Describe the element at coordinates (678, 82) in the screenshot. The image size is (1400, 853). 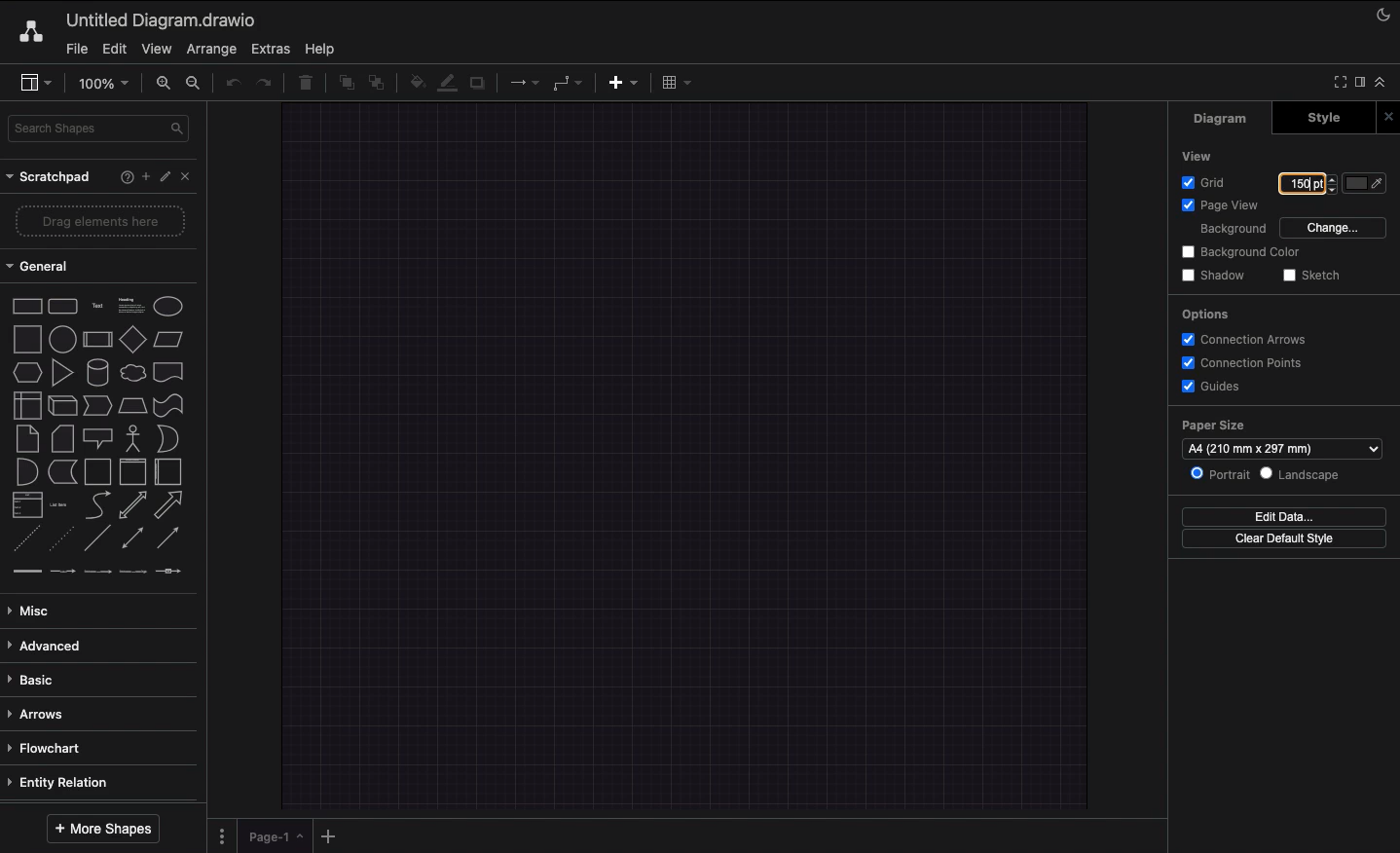
I see `Table` at that location.